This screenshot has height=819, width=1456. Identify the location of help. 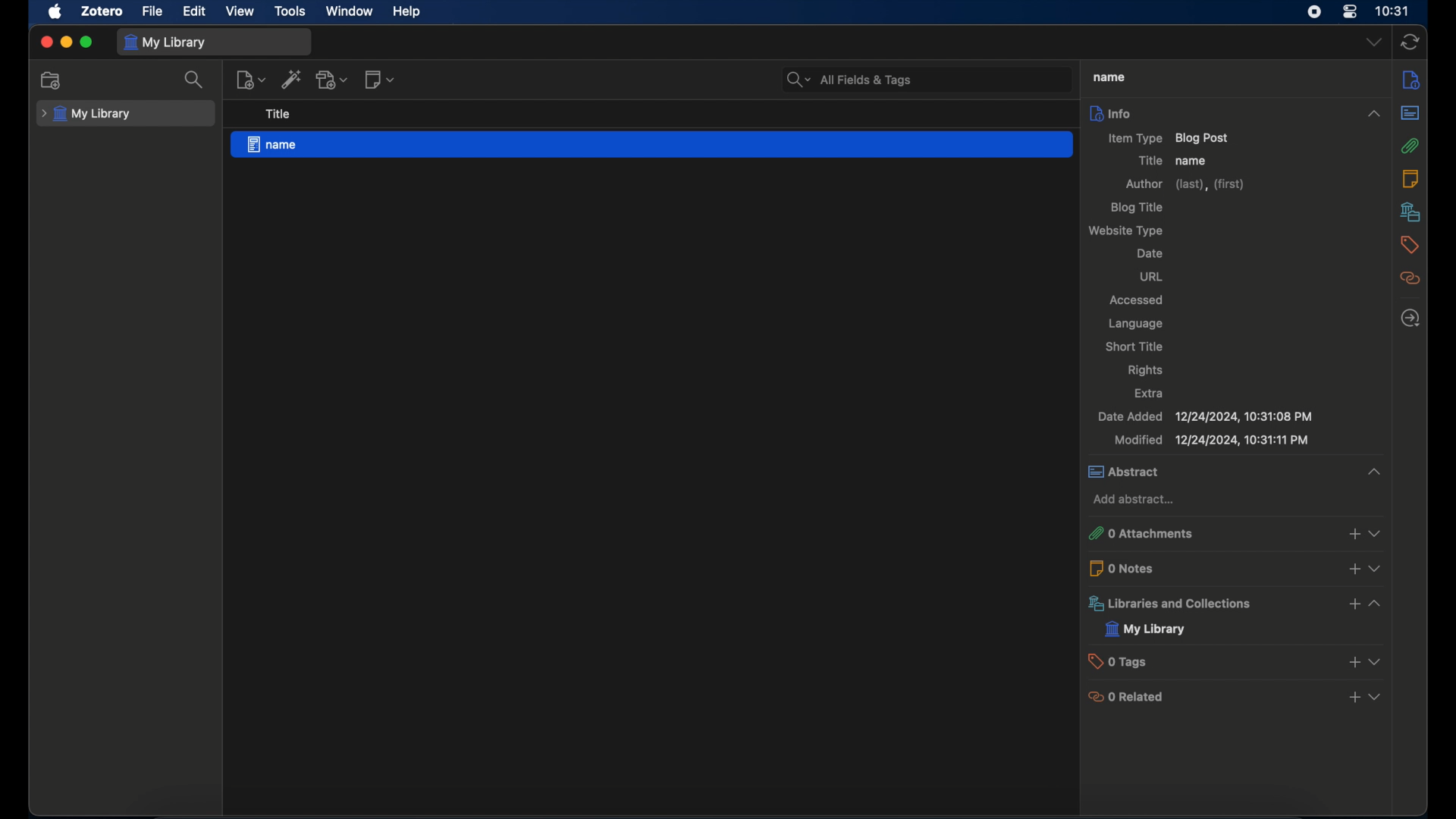
(406, 12).